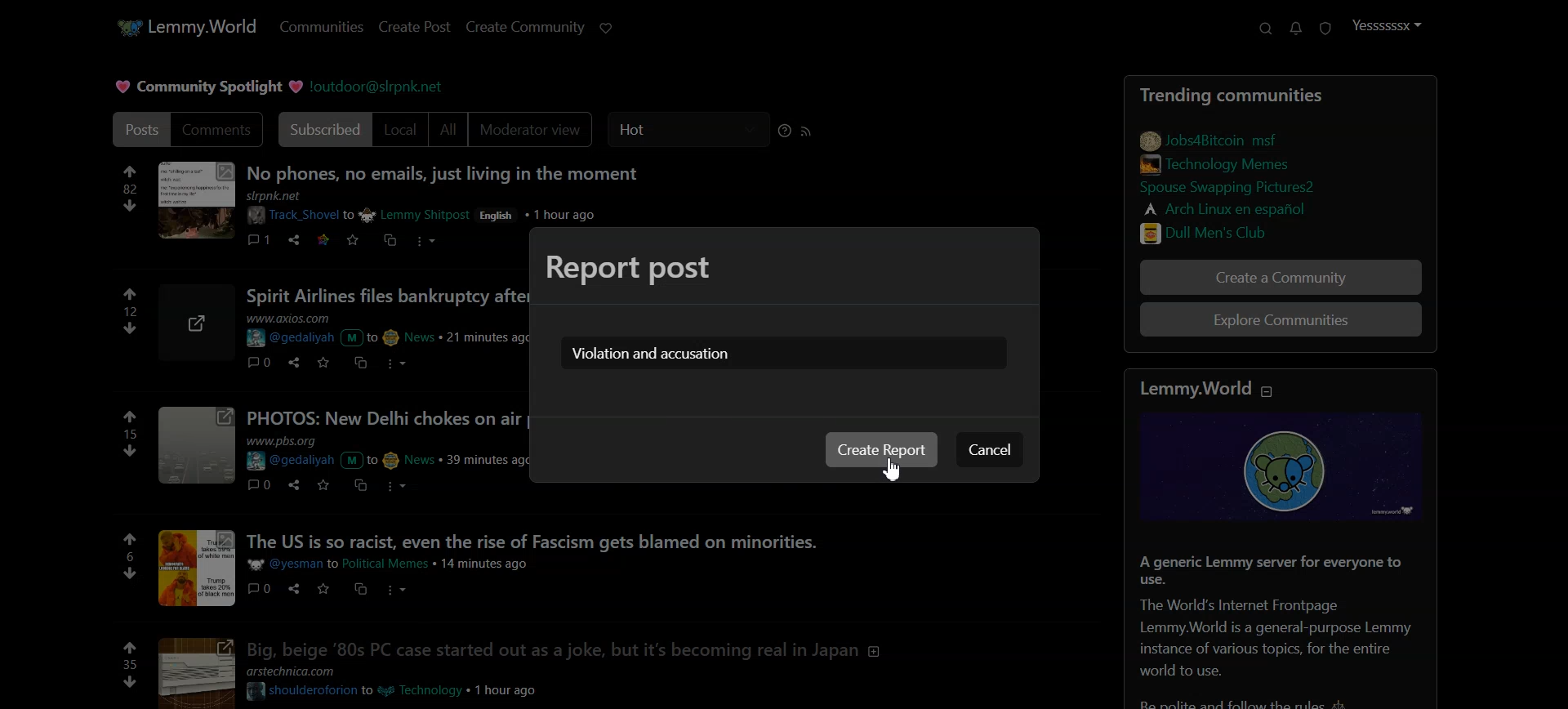 The height and width of the screenshot is (709, 1568). I want to click on comments, so click(260, 484).